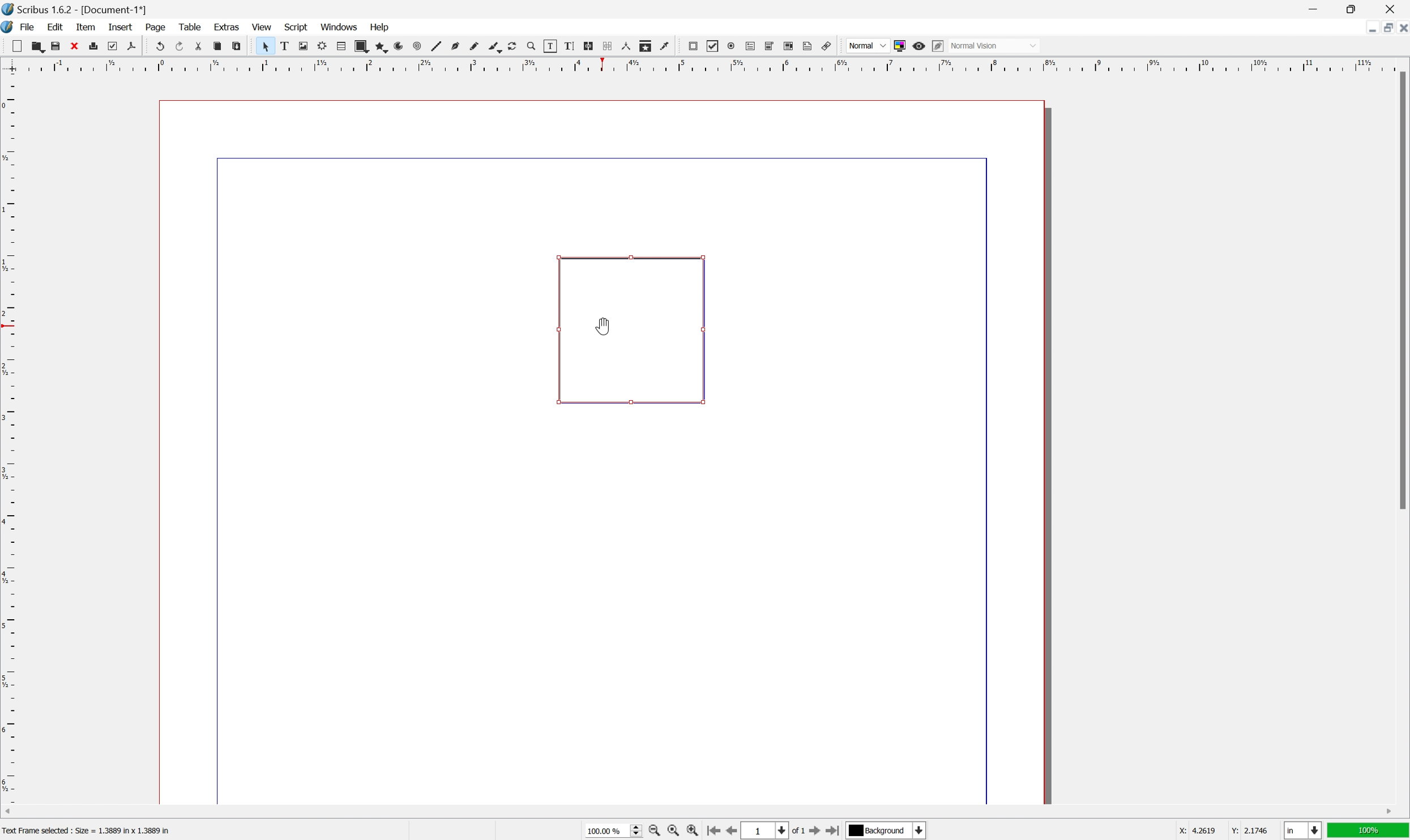 This screenshot has width=1410, height=840. Describe the element at coordinates (605, 323) in the screenshot. I see `Cursor` at that location.